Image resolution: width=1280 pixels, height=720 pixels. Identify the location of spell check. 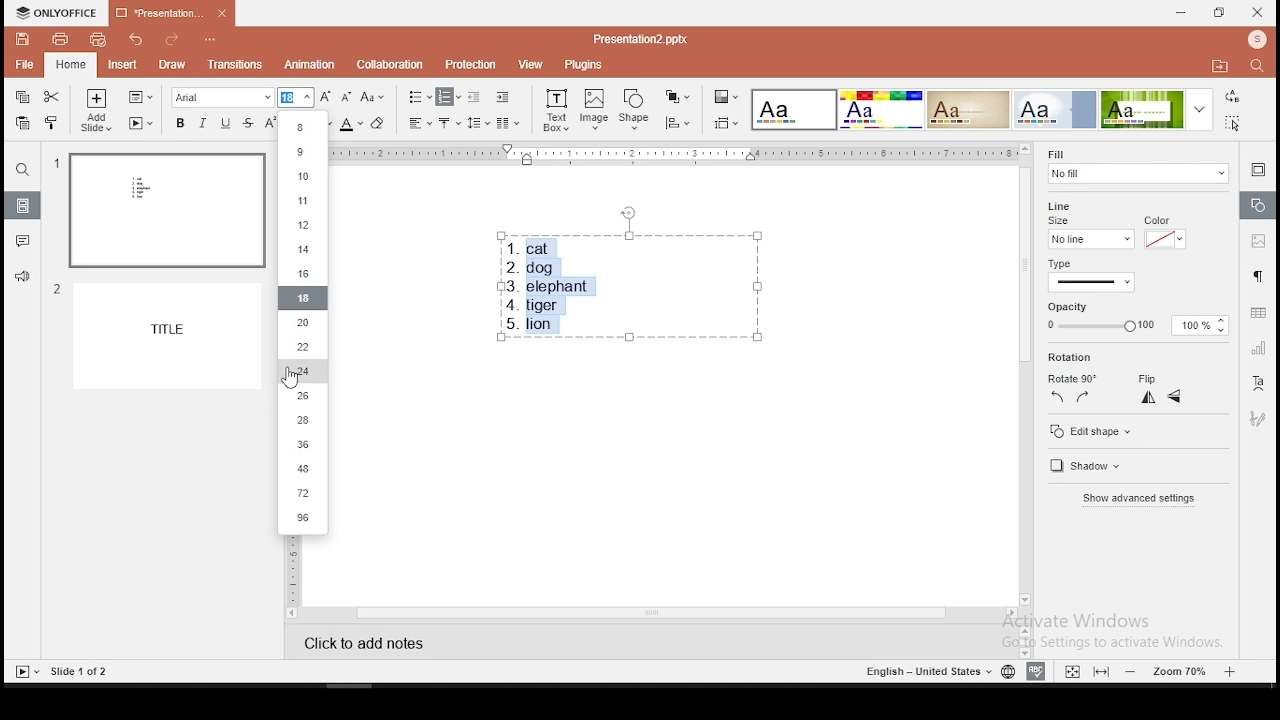
(1036, 672).